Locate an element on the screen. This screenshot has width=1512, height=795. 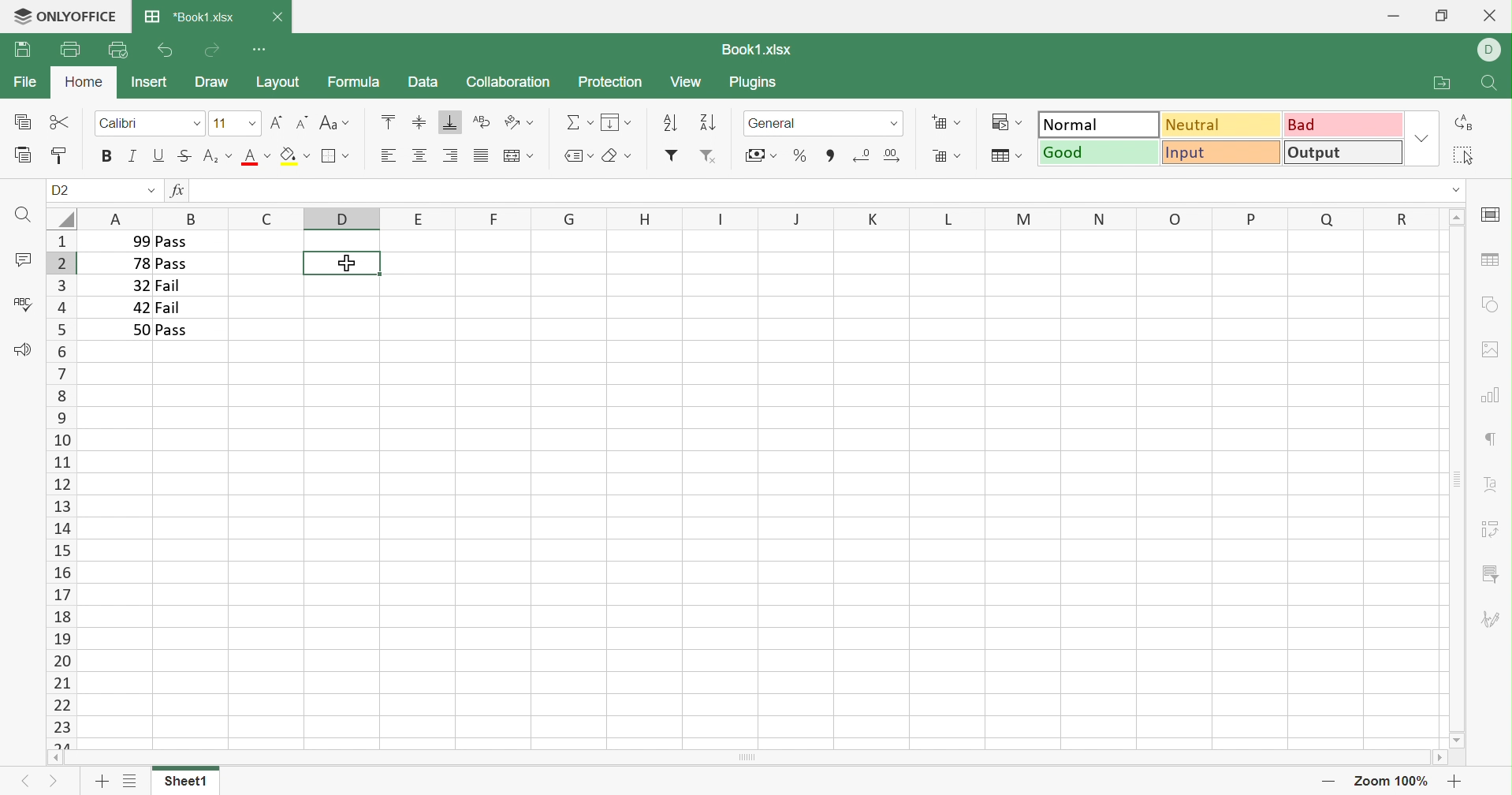
Scroll left is located at coordinates (54, 759).